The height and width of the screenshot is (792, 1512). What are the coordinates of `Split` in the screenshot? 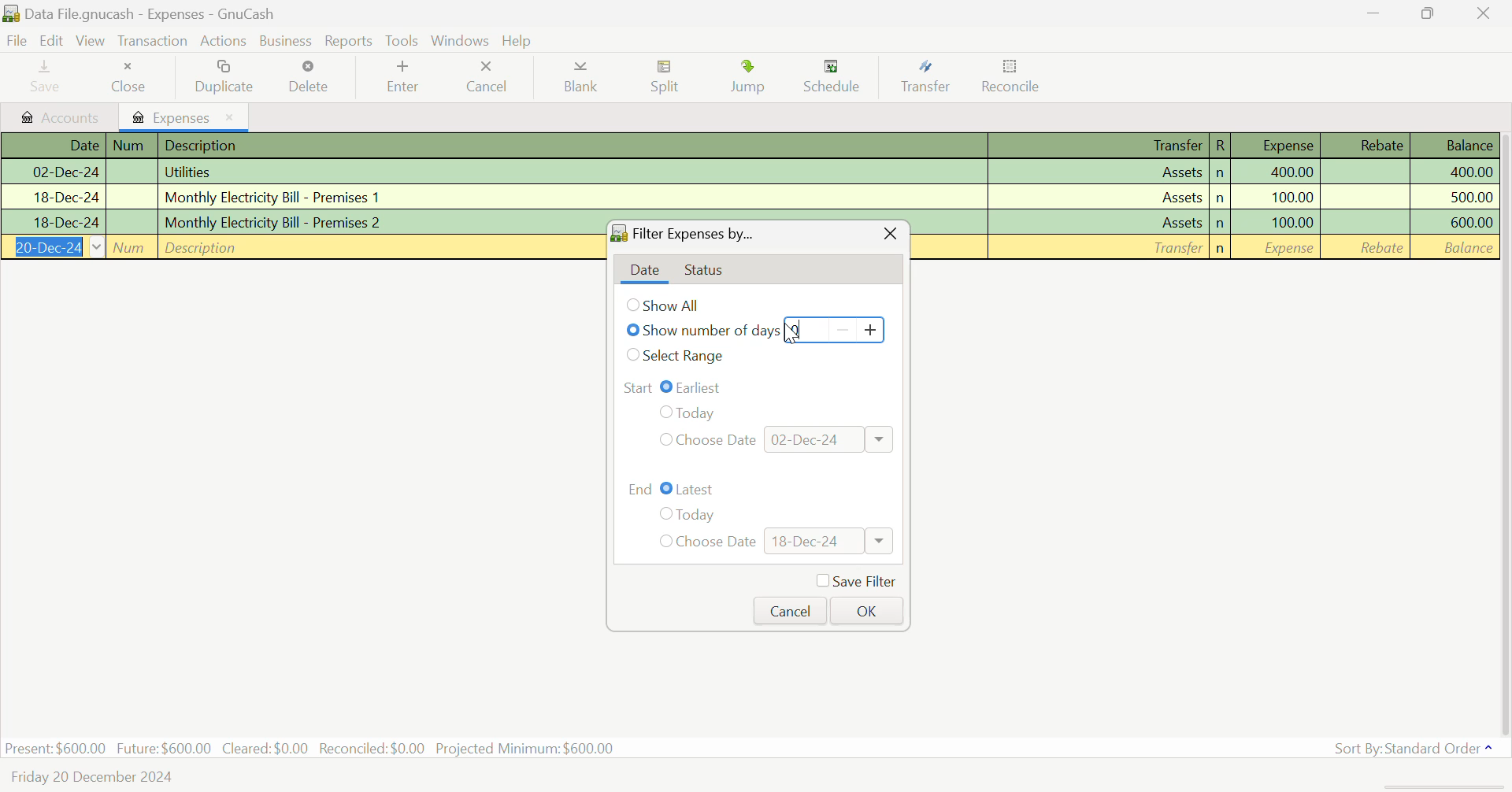 It's located at (668, 79).